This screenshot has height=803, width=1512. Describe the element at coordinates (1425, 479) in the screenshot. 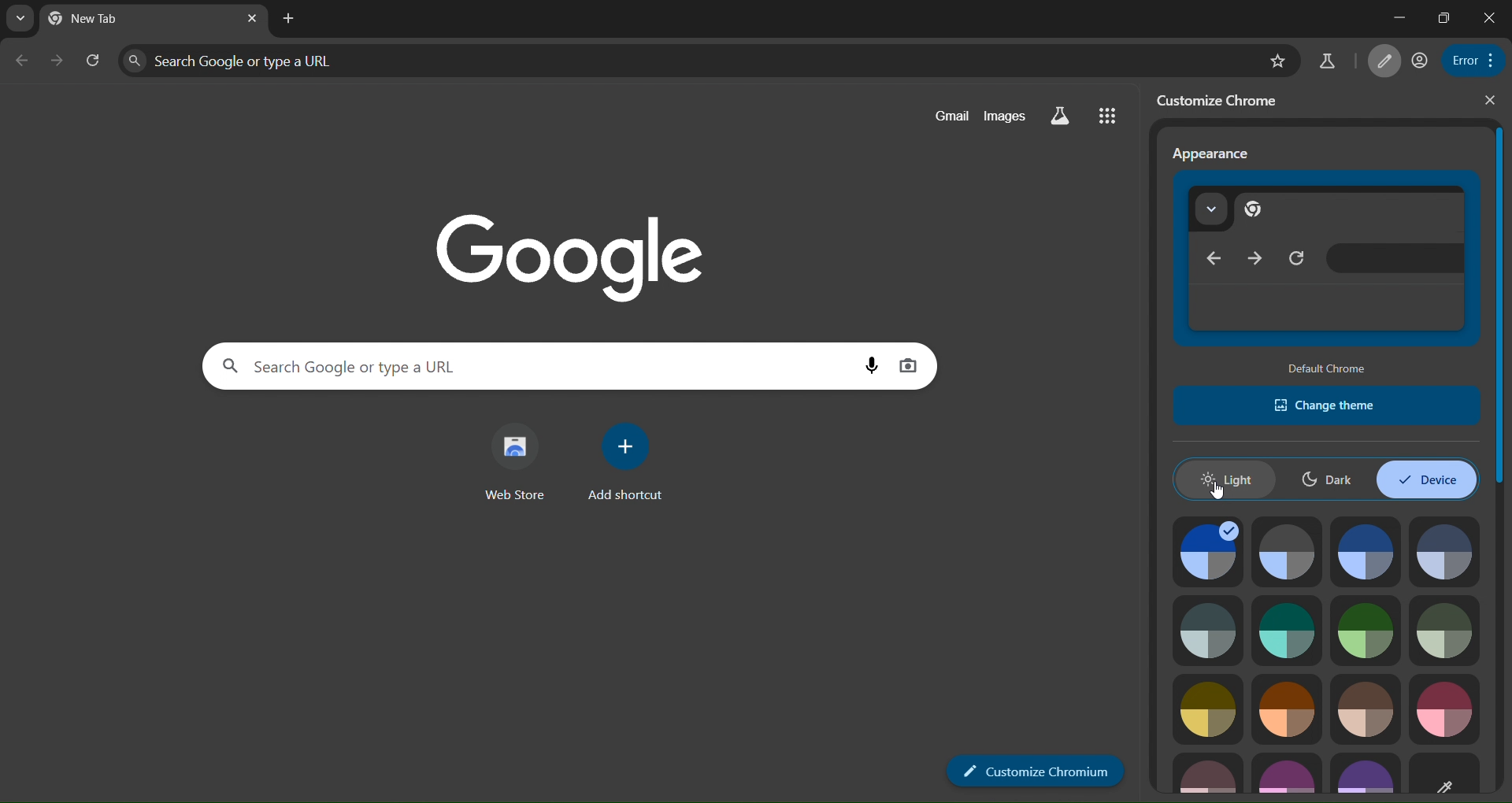

I see `device` at that location.